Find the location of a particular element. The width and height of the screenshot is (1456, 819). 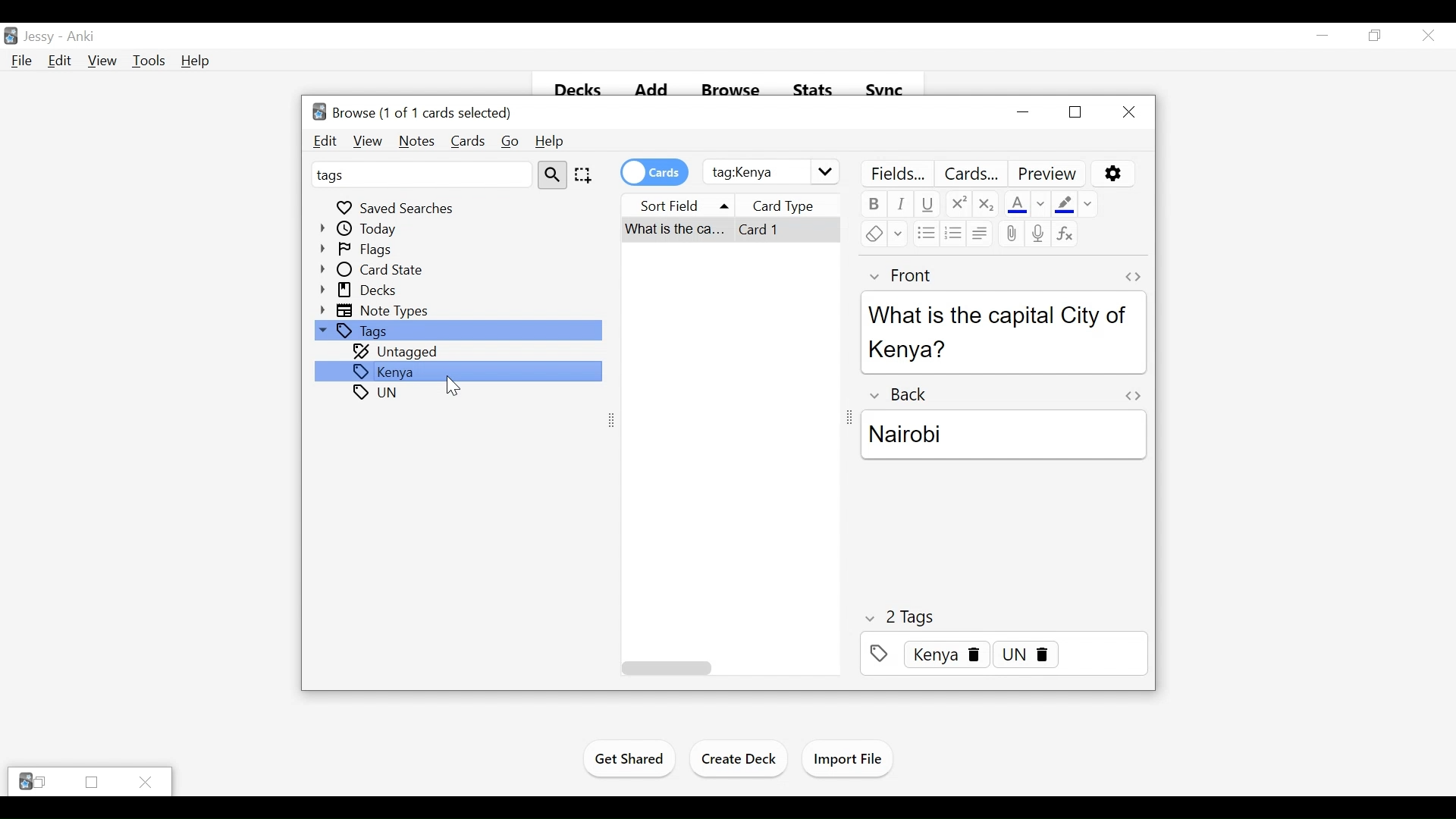

Restore is located at coordinates (90, 783).